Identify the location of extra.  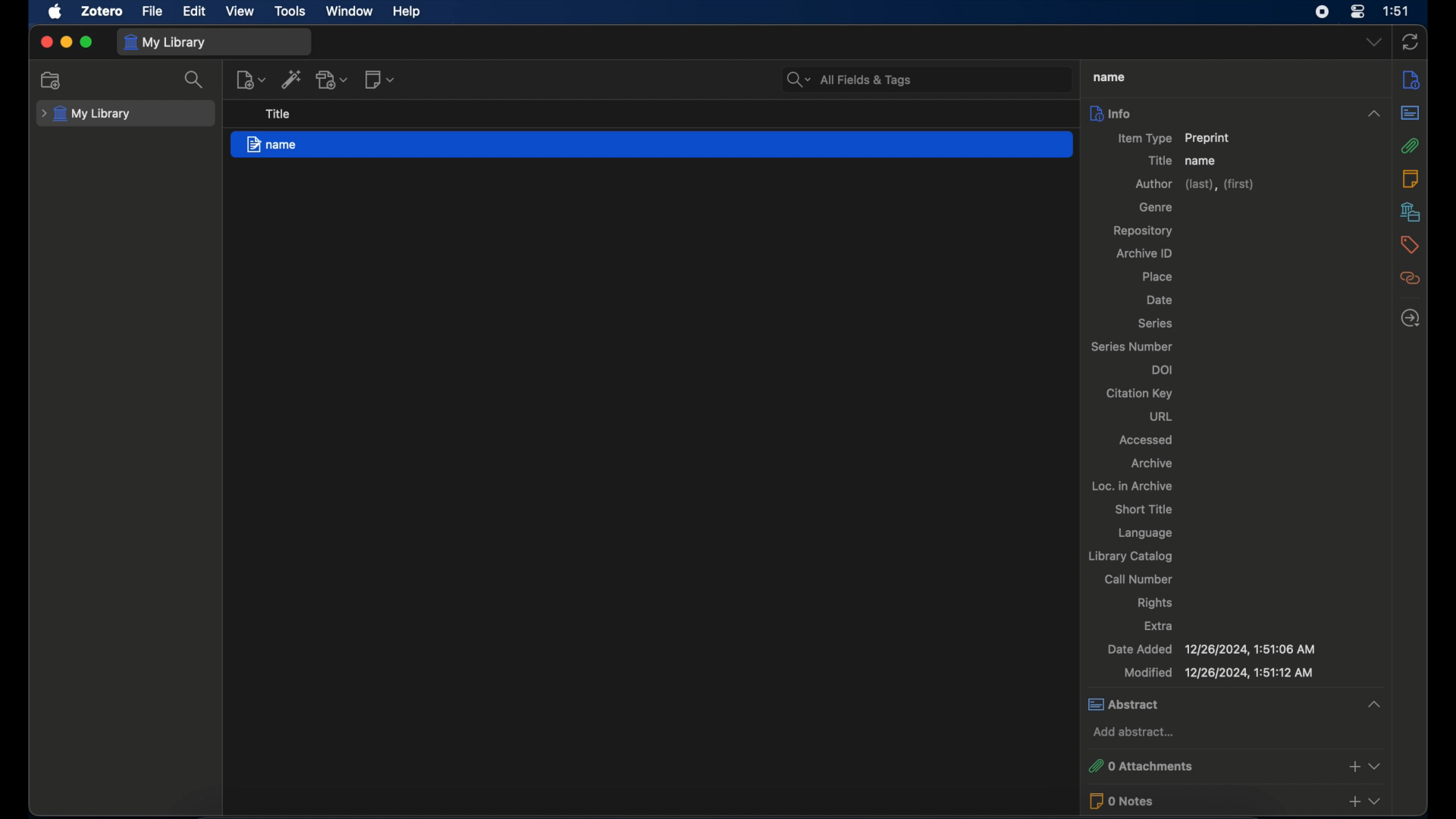
(1157, 626).